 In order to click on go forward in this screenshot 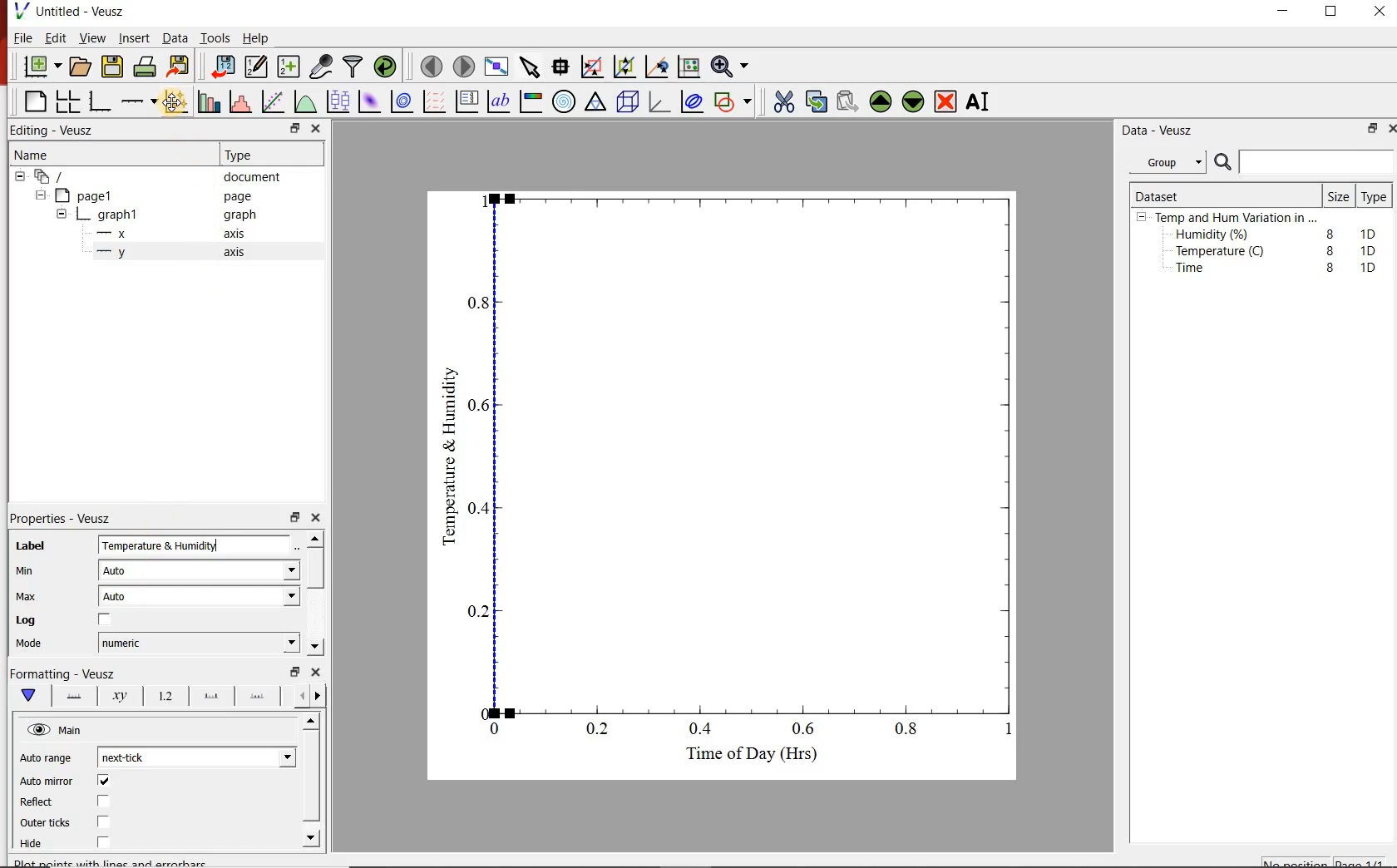, I will do `click(321, 696)`.